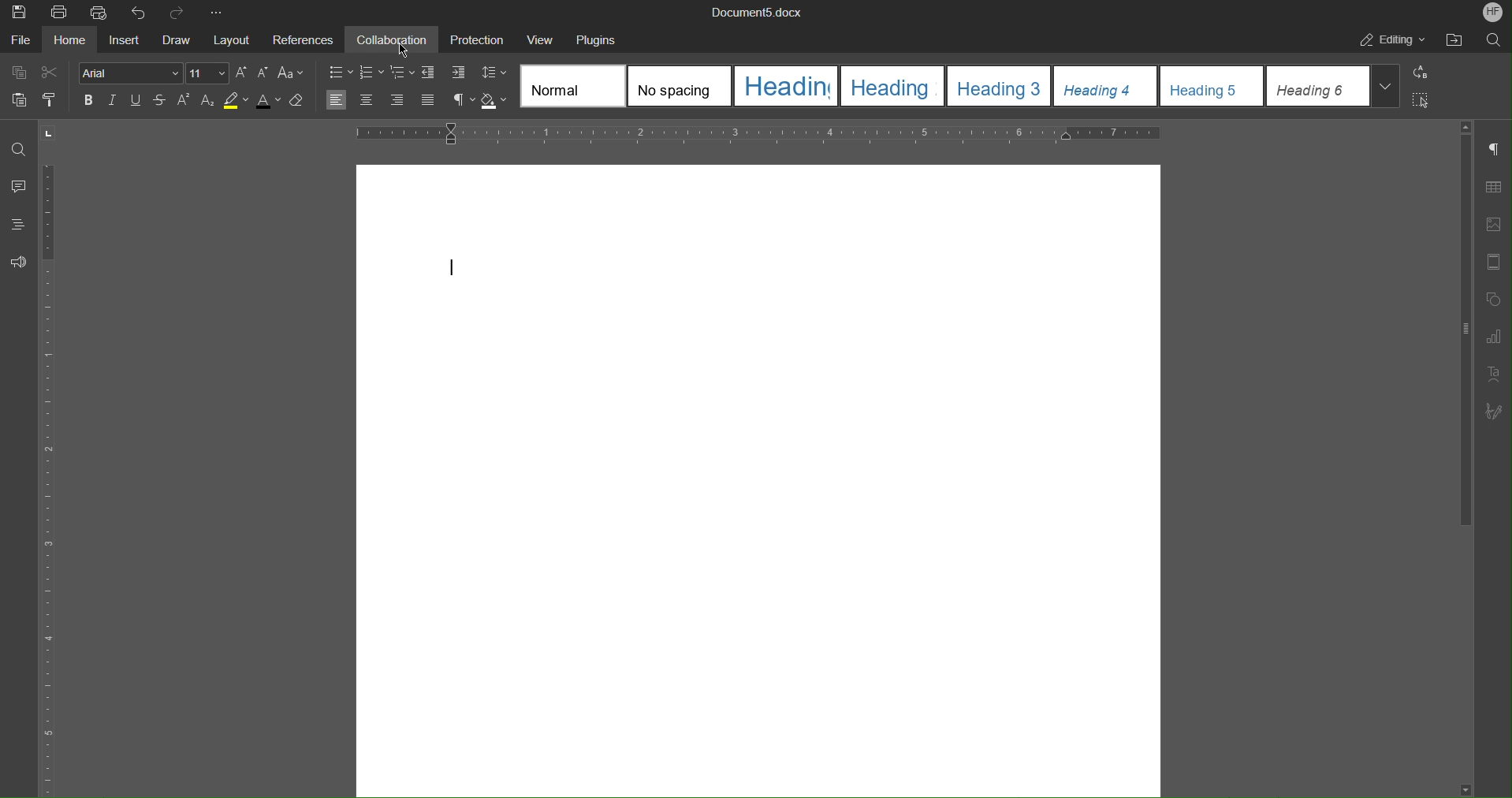 This screenshot has width=1512, height=798. I want to click on Save, so click(20, 13).